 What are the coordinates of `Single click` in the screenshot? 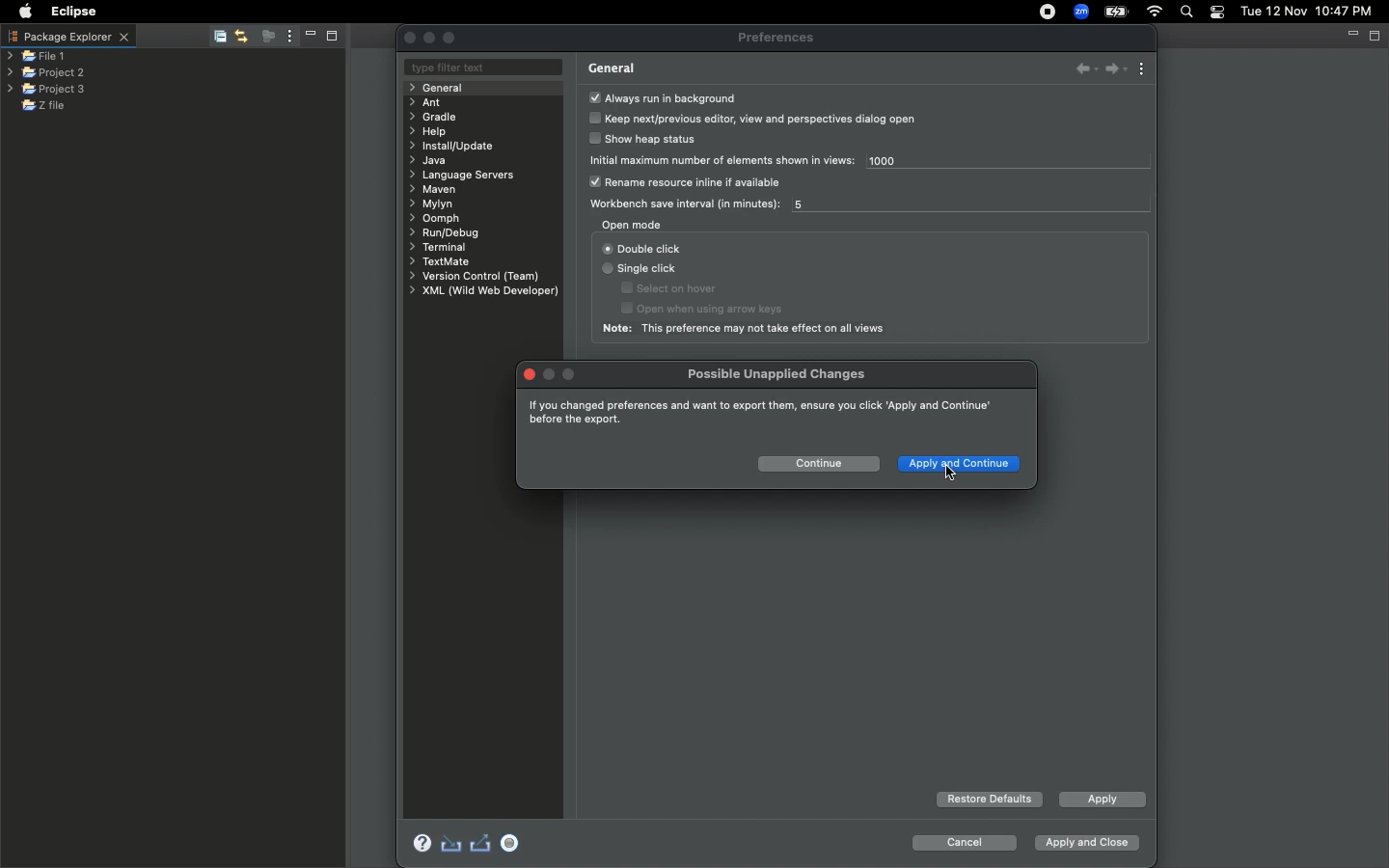 It's located at (641, 270).